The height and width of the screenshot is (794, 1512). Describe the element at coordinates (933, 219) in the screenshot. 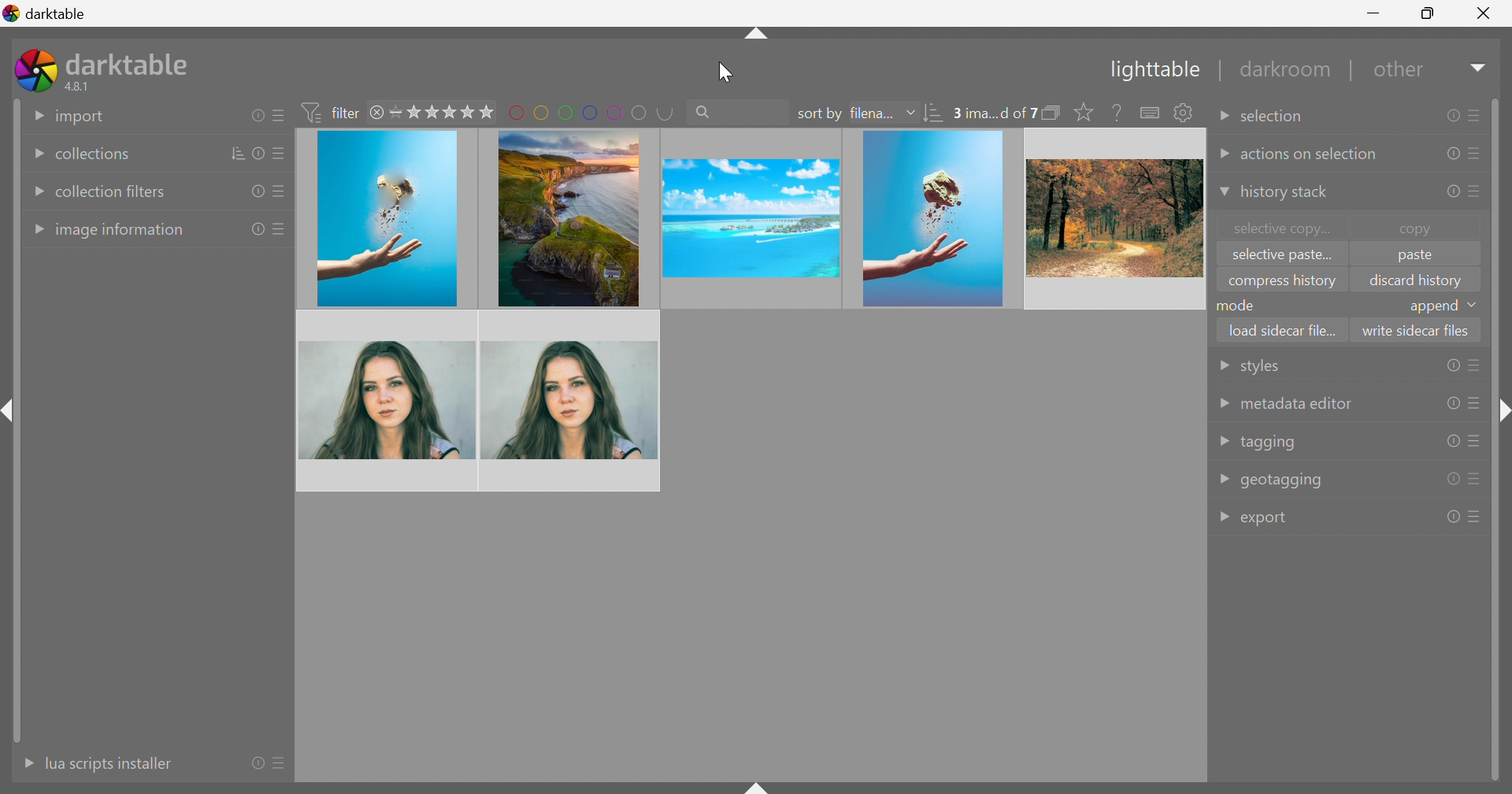

I see `image` at that location.